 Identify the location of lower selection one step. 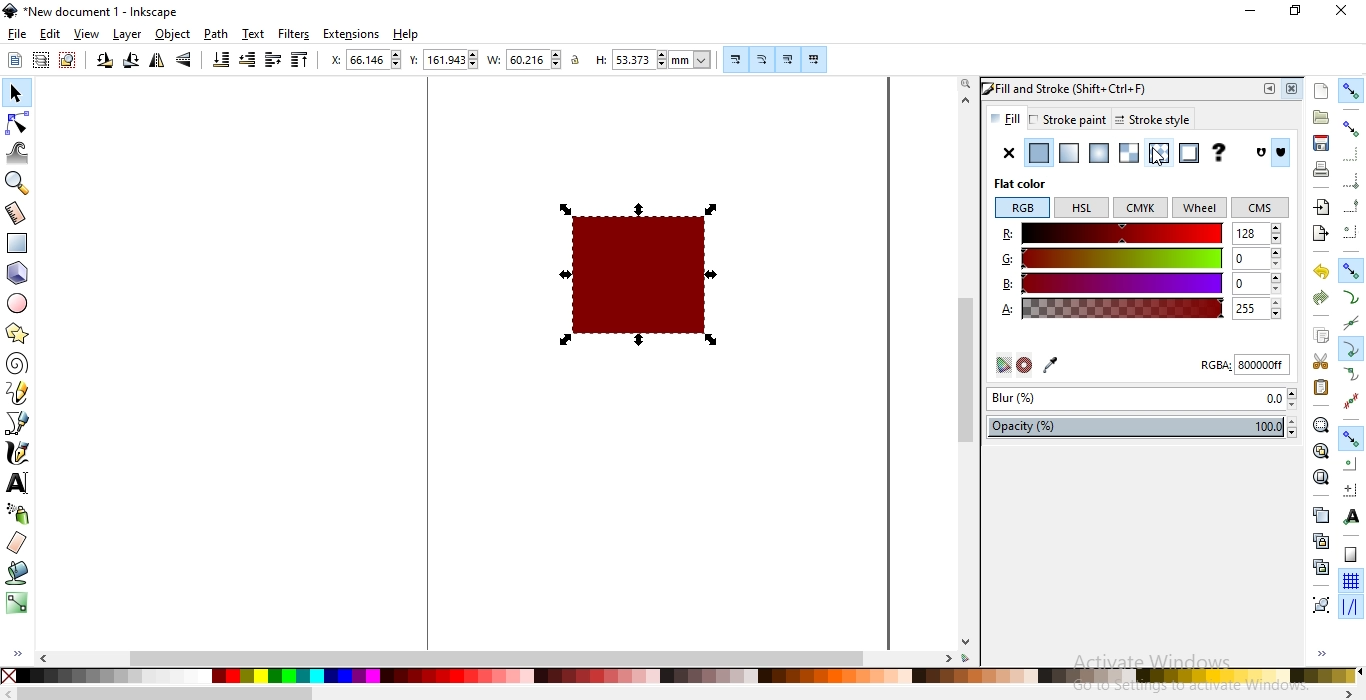
(247, 61).